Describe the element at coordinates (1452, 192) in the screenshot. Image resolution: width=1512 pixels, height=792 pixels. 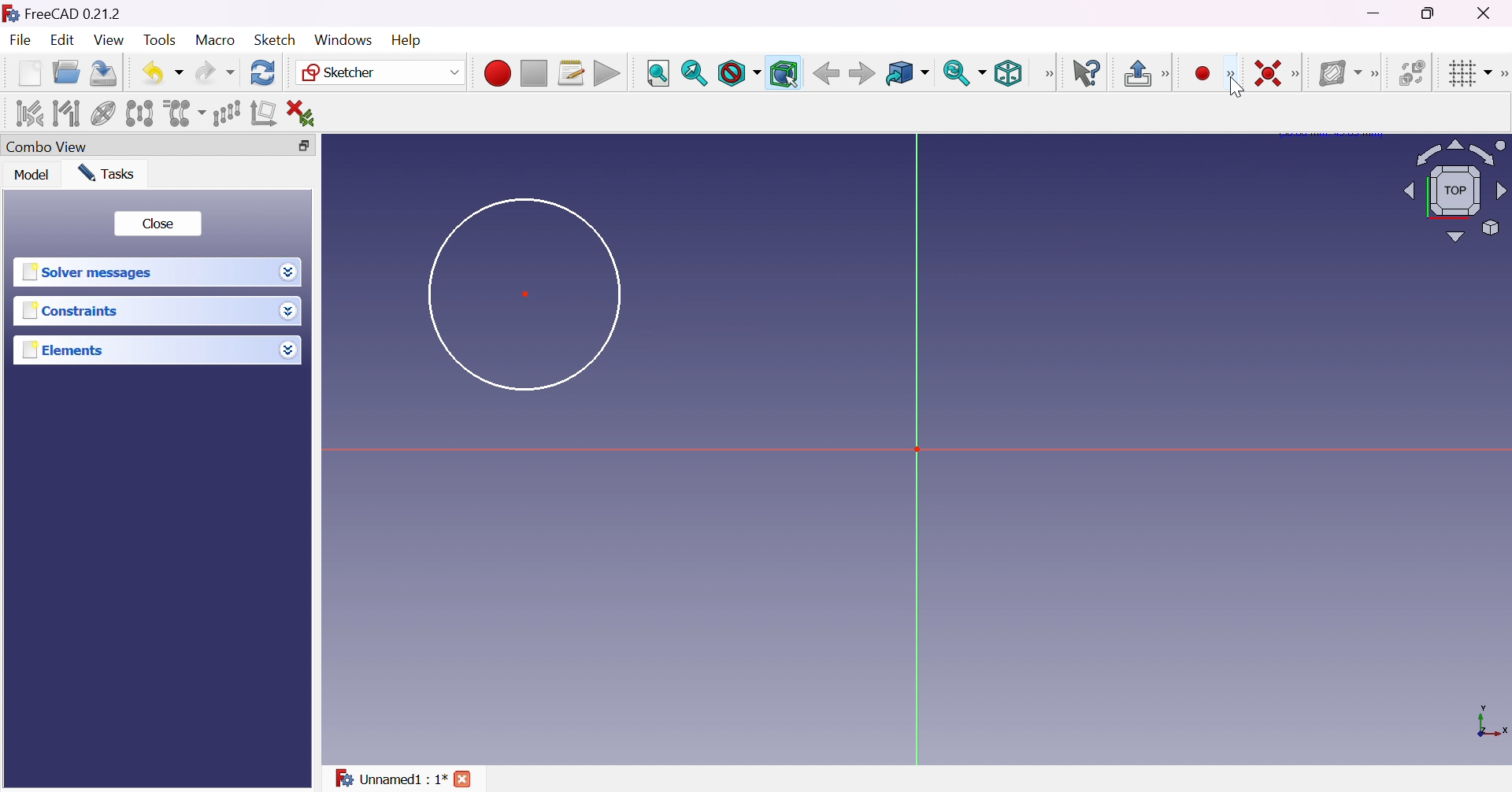
I see `Viewing angle` at that location.